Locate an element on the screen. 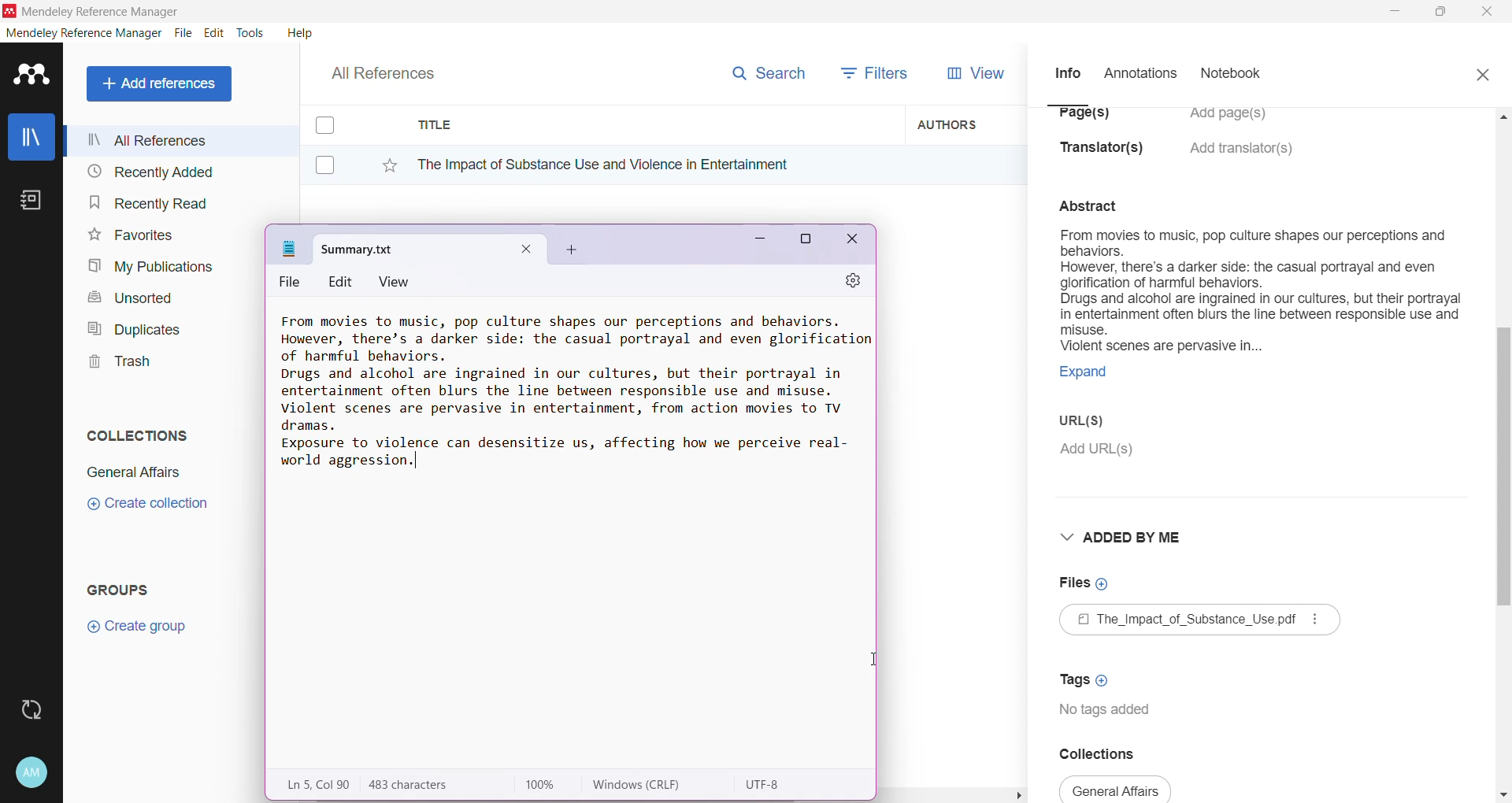 This screenshot has width=1512, height=803. Tools is located at coordinates (251, 33).